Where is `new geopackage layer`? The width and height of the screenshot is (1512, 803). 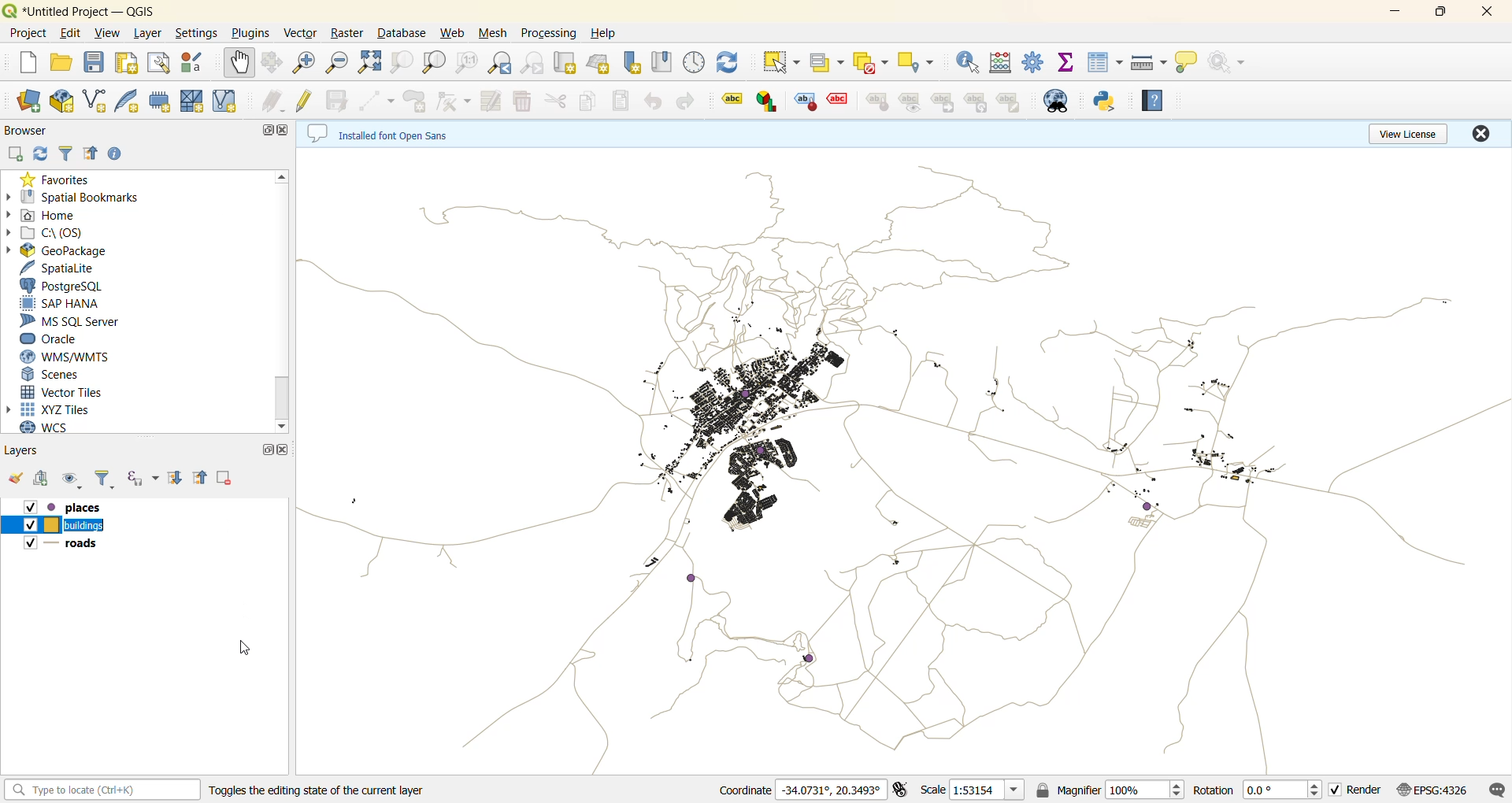 new geopackage layer is located at coordinates (61, 101).